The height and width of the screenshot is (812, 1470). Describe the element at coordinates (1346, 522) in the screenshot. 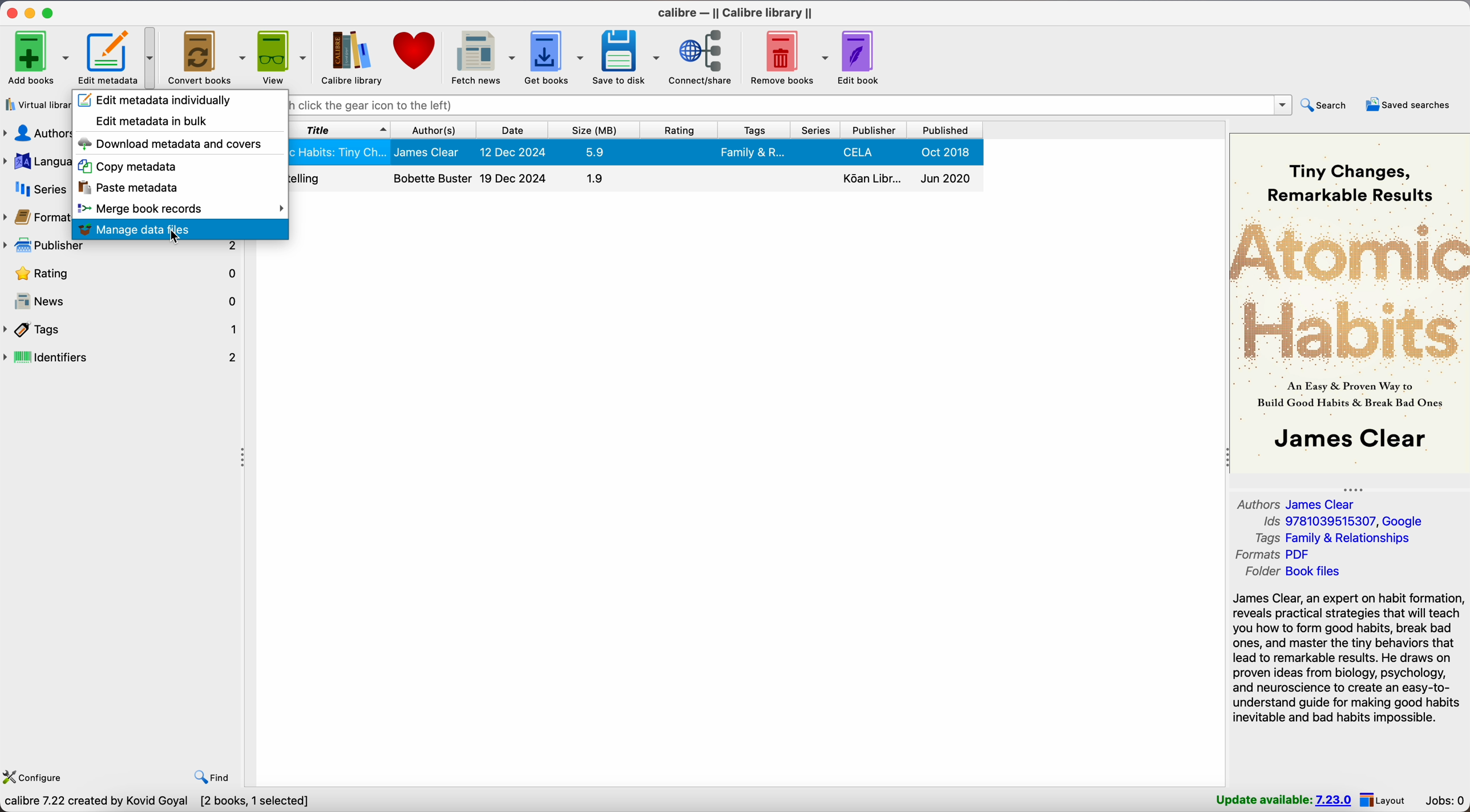

I see `Ids 9781039515307, Google` at that location.